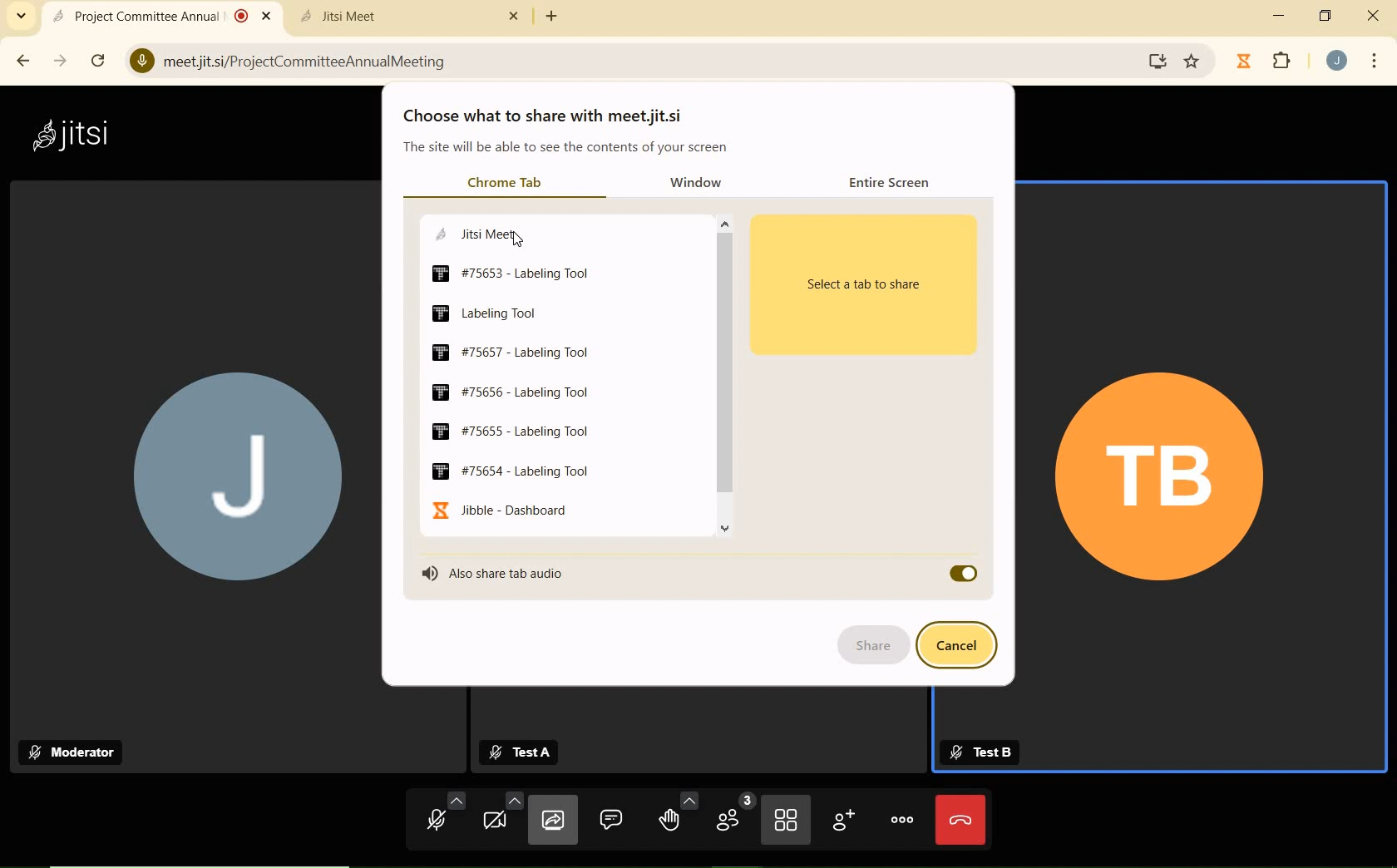 Image resolution: width=1397 pixels, height=868 pixels. I want to click on reload, so click(98, 60).